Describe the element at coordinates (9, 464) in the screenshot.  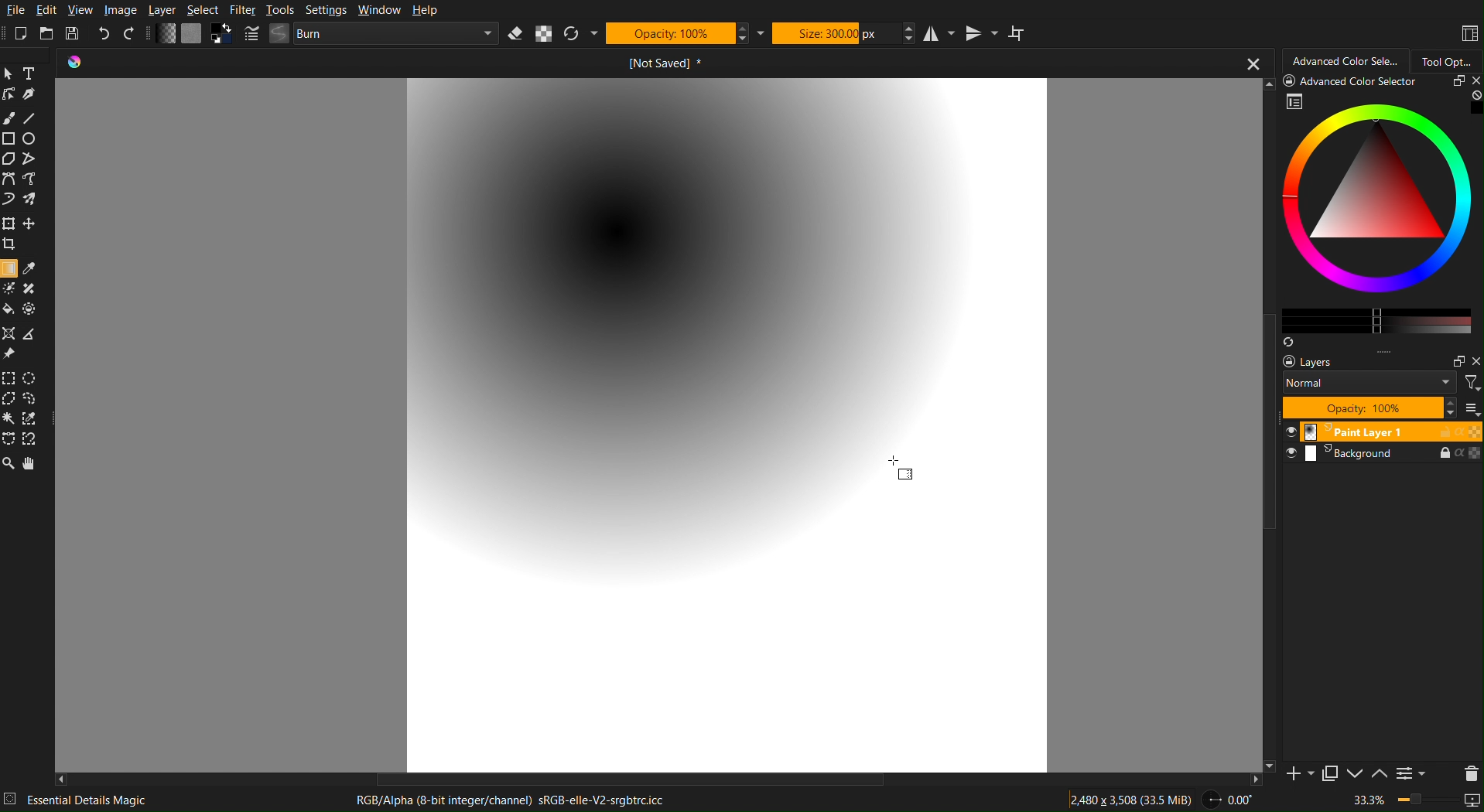
I see `Zoom` at that location.